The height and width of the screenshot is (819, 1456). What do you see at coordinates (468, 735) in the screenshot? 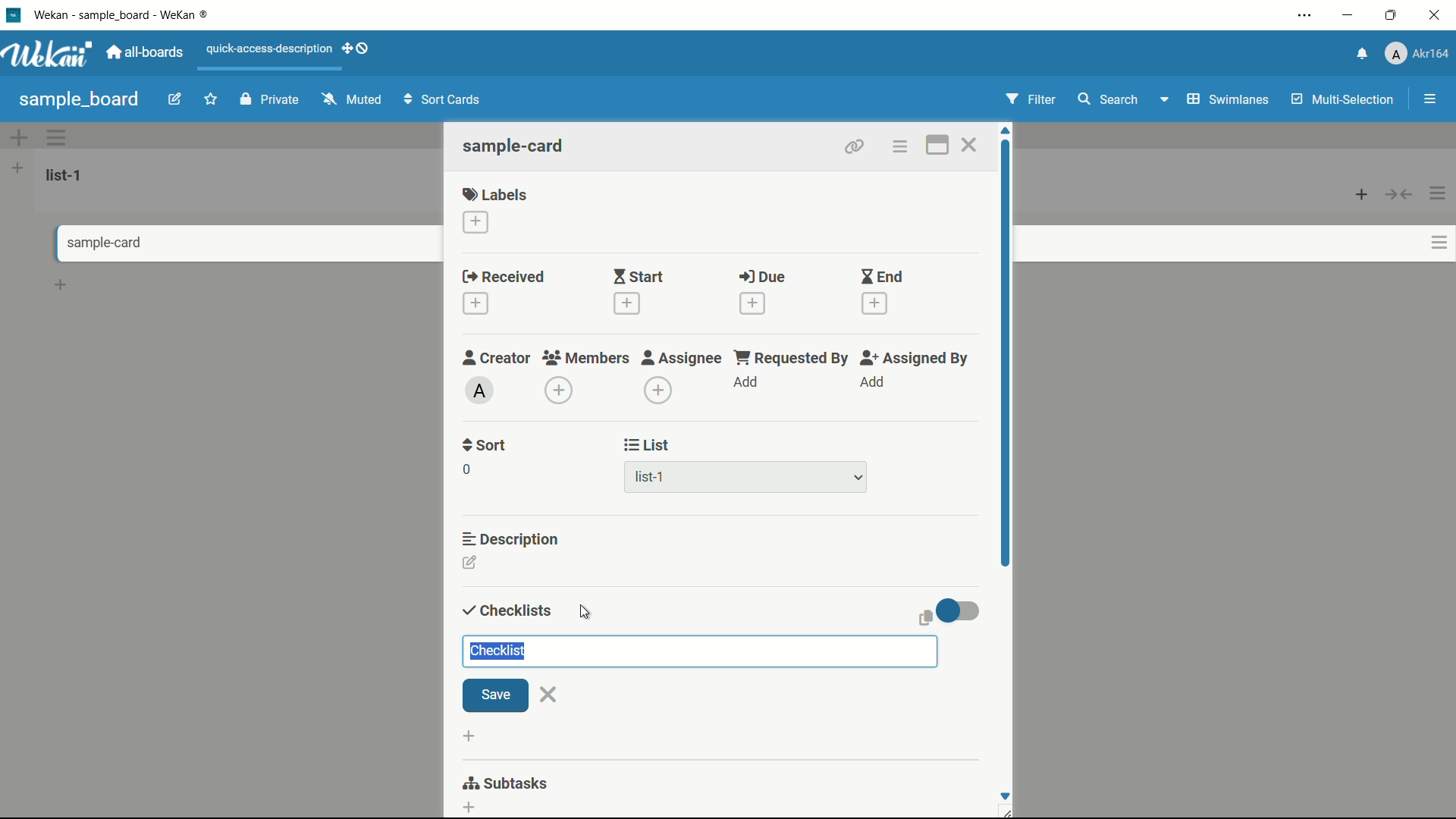
I see `add checklist` at bounding box center [468, 735].